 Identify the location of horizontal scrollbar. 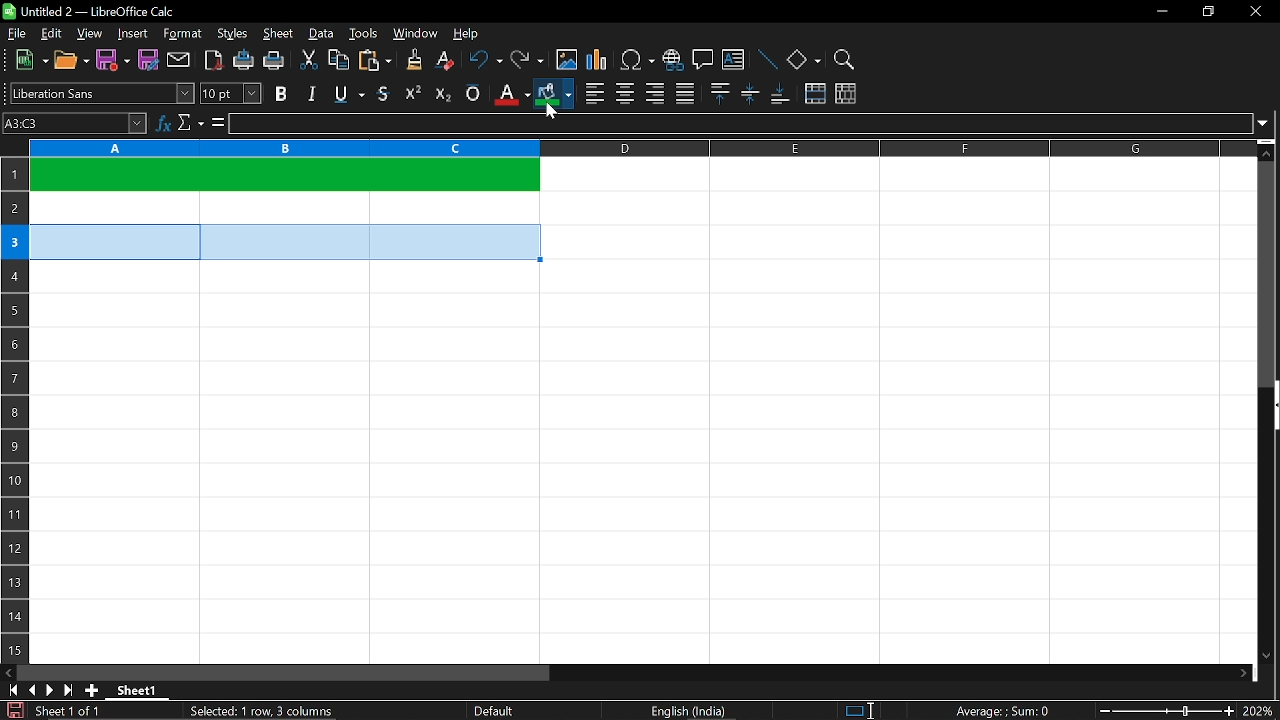
(284, 673).